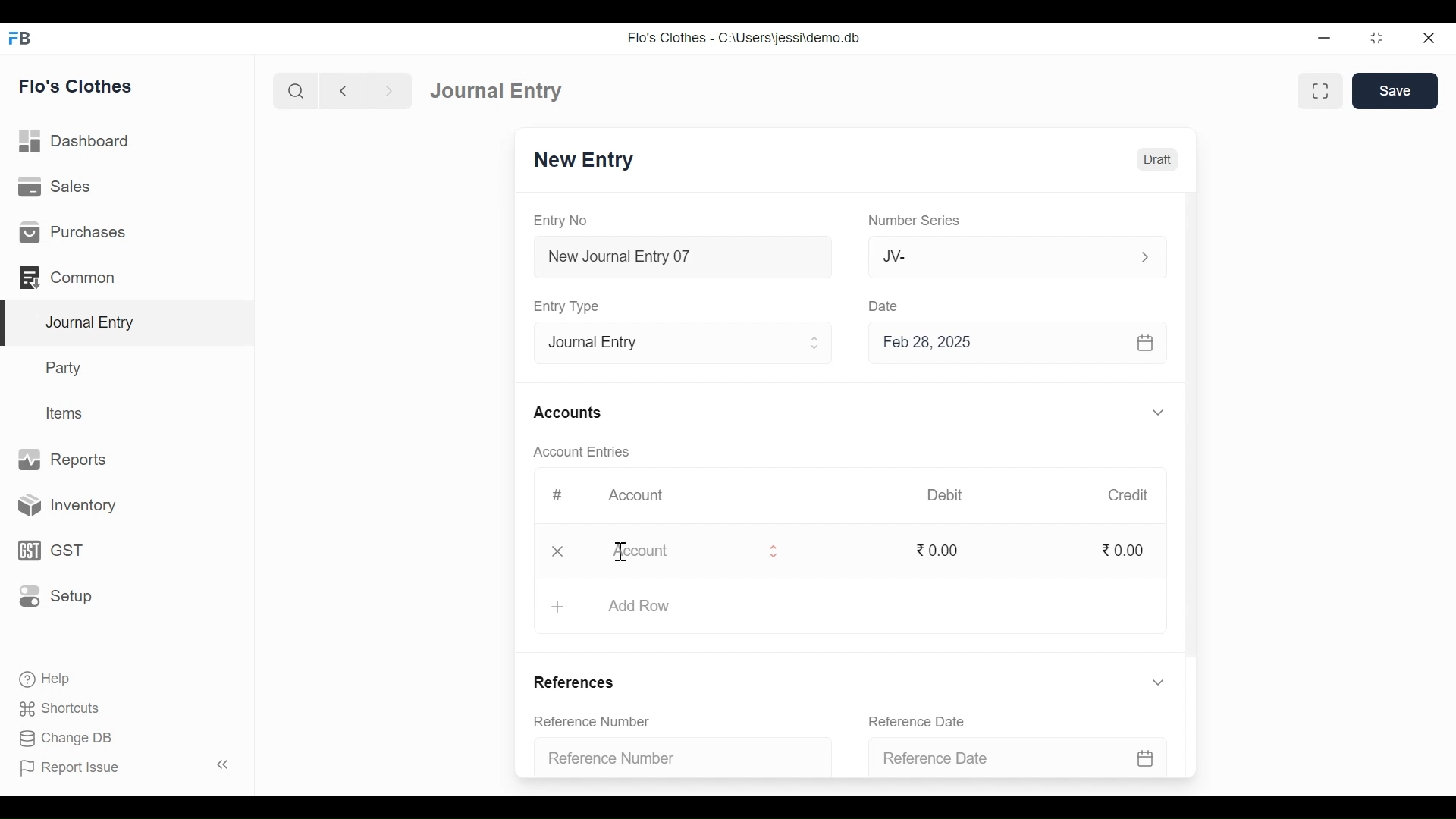 The image size is (1456, 819). What do you see at coordinates (76, 86) in the screenshot?
I see `Flo's Clothes` at bounding box center [76, 86].